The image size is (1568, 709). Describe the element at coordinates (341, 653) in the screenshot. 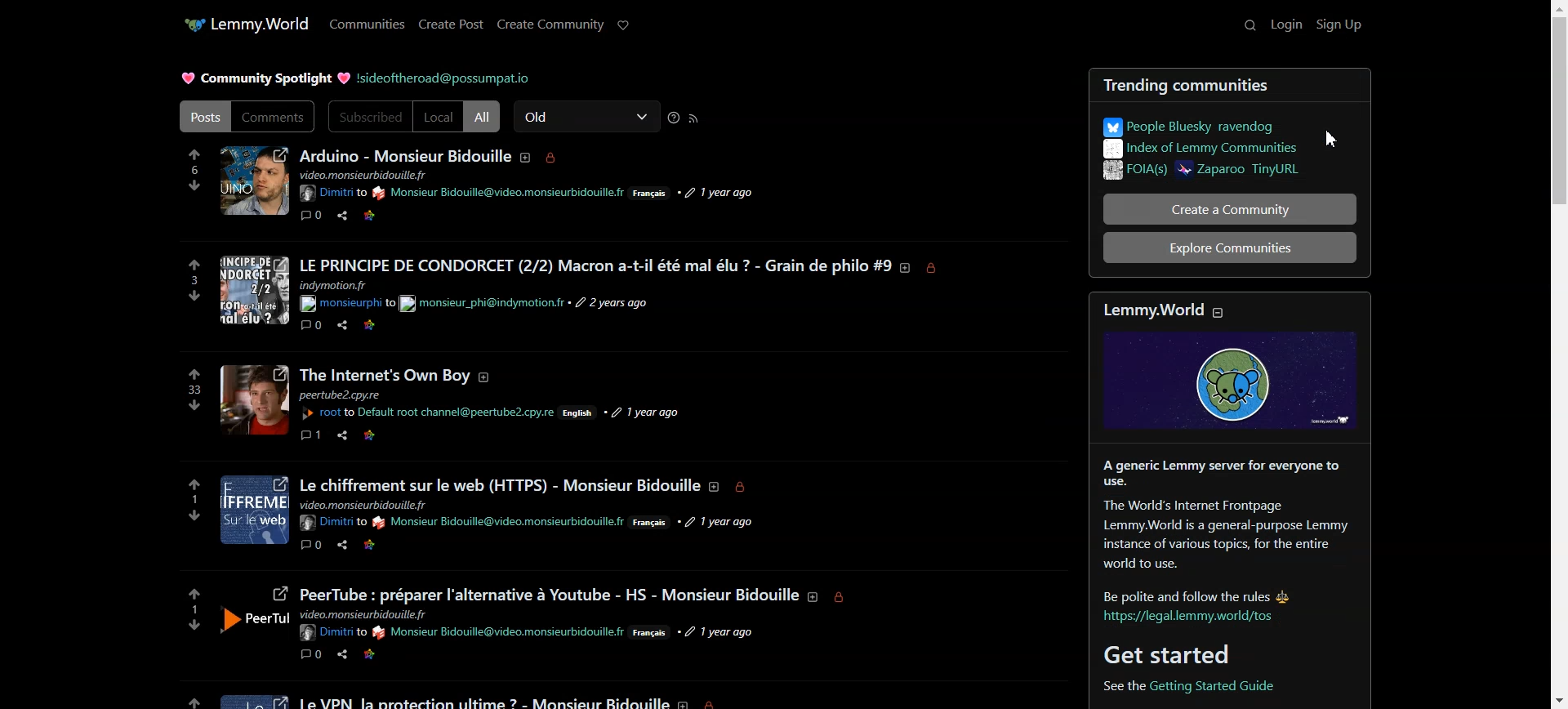

I see `share` at that location.